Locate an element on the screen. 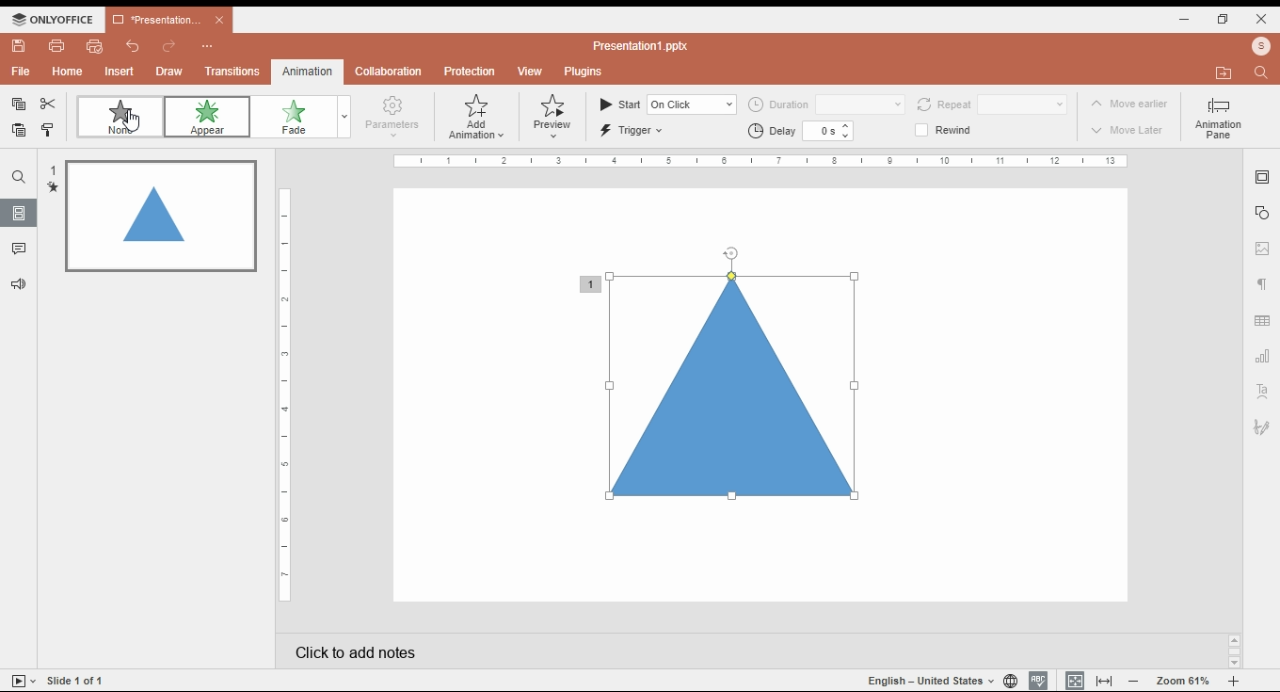 This screenshot has height=692, width=1280. slide is located at coordinates (81, 680).